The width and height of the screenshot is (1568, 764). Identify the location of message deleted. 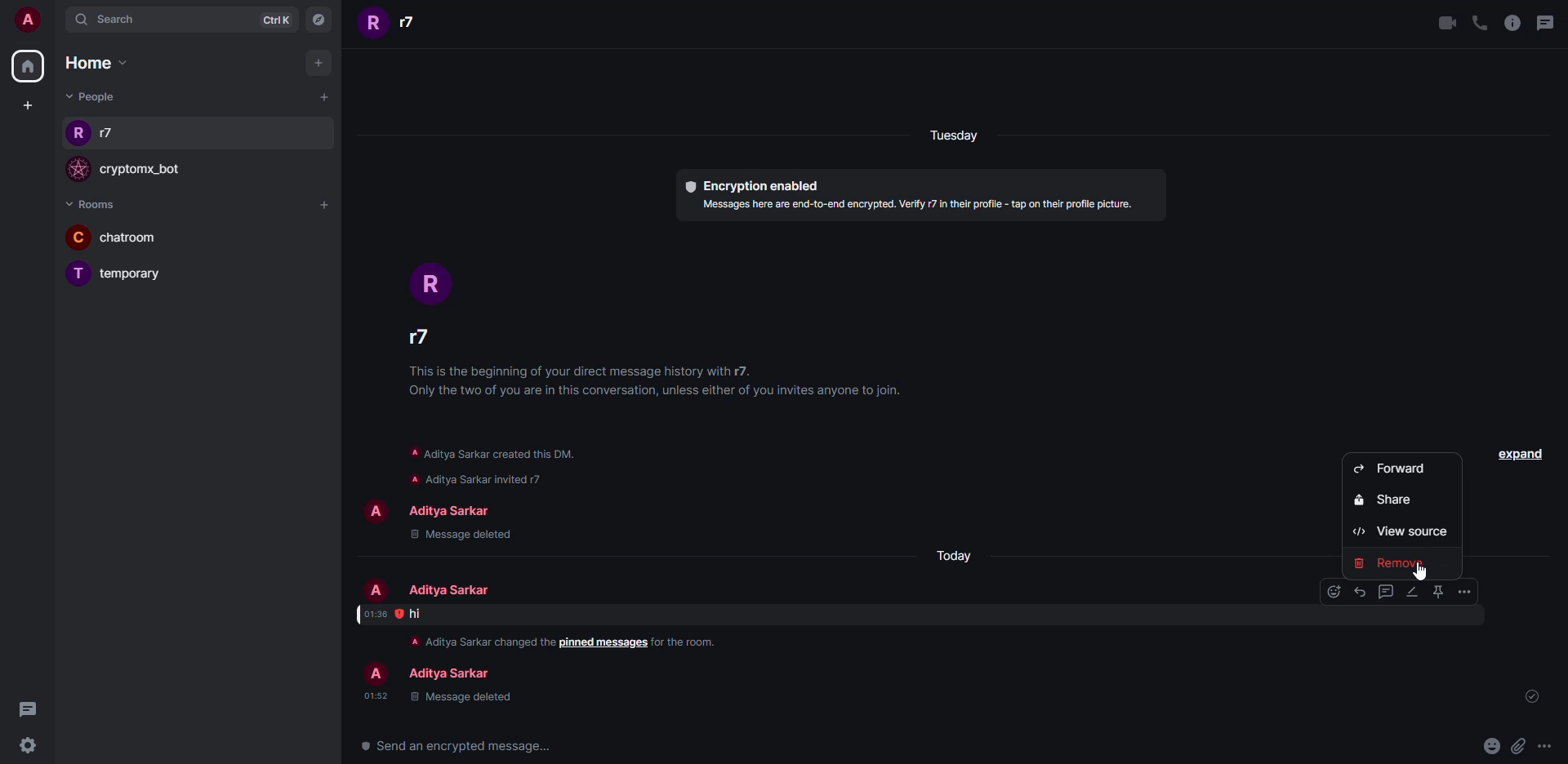
(460, 698).